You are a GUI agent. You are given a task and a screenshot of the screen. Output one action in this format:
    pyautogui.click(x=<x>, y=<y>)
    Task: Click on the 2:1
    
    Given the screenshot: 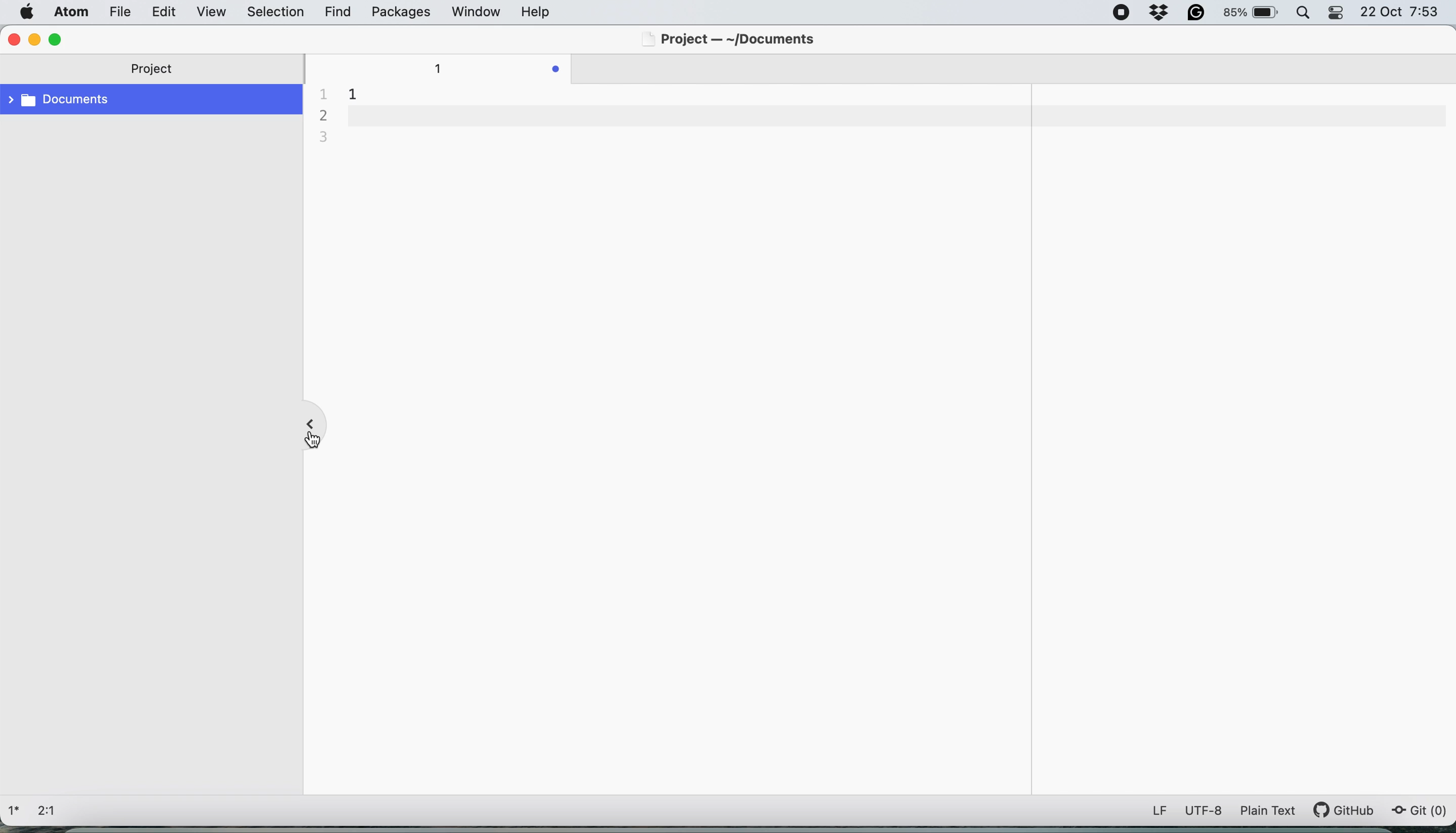 What is the action you would take?
    pyautogui.click(x=53, y=811)
    